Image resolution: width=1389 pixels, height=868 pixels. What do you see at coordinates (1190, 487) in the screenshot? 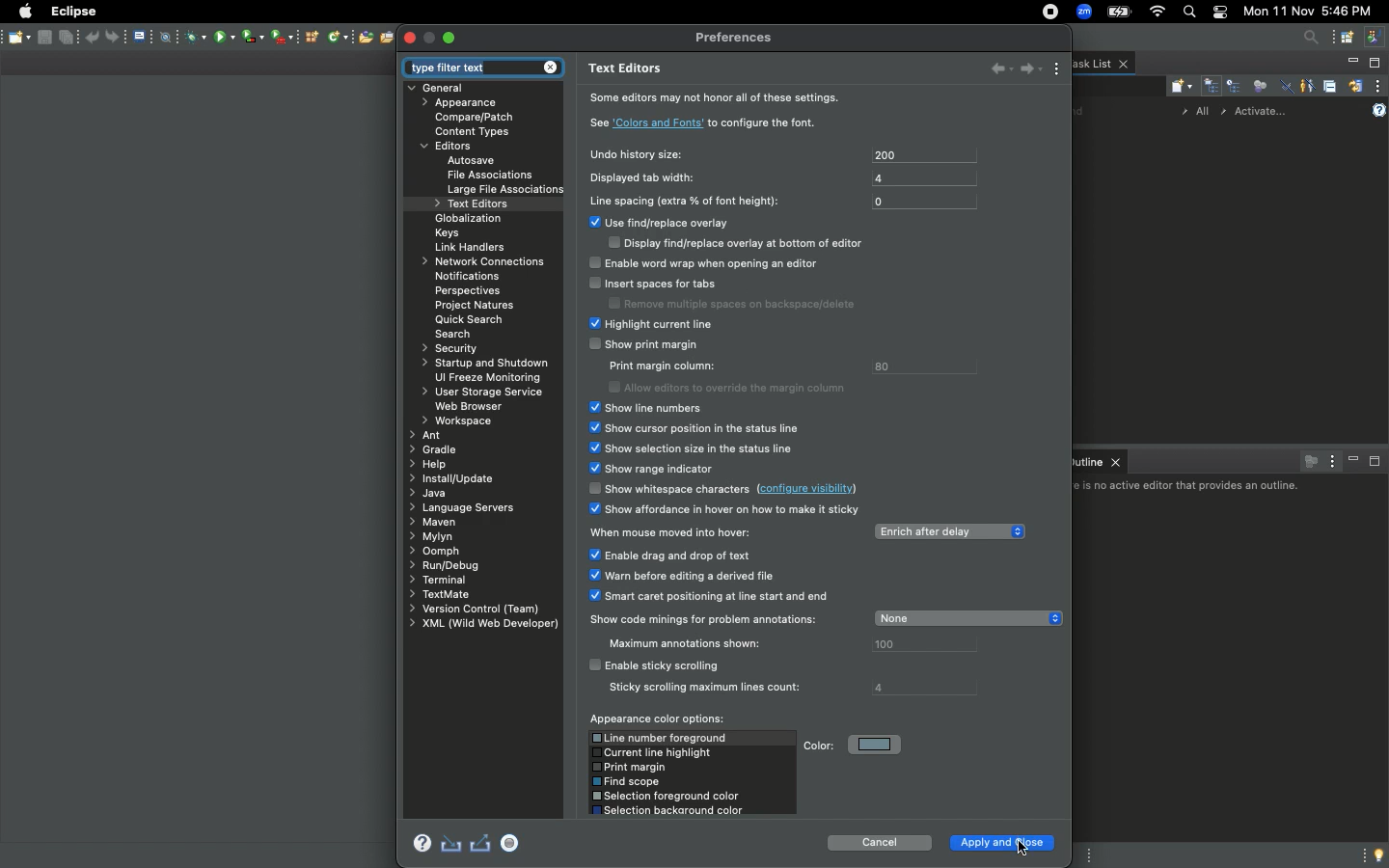
I see `There is no active editor the provides an outline` at bounding box center [1190, 487].